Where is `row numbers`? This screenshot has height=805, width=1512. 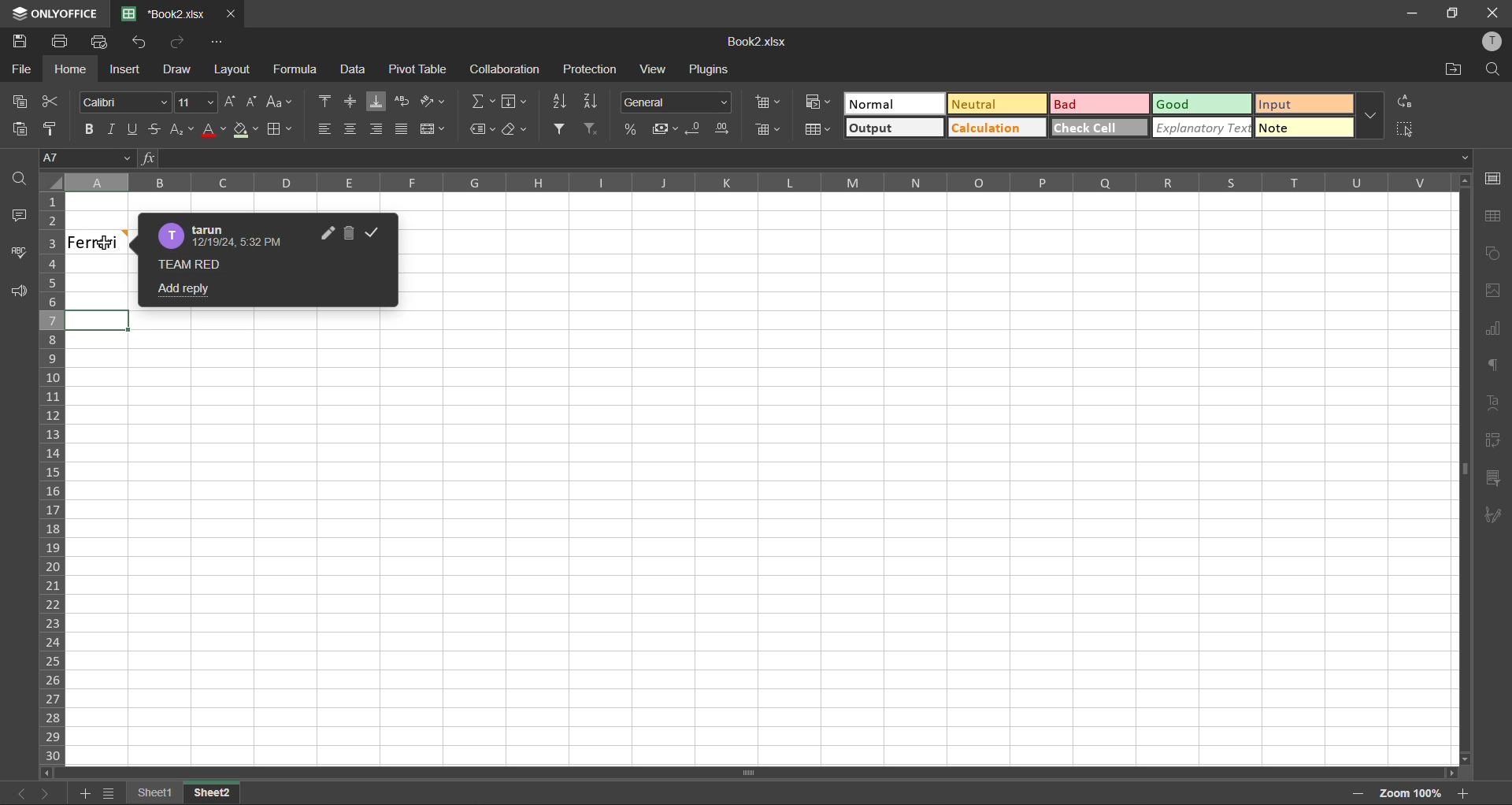
row numbers is located at coordinates (56, 477).